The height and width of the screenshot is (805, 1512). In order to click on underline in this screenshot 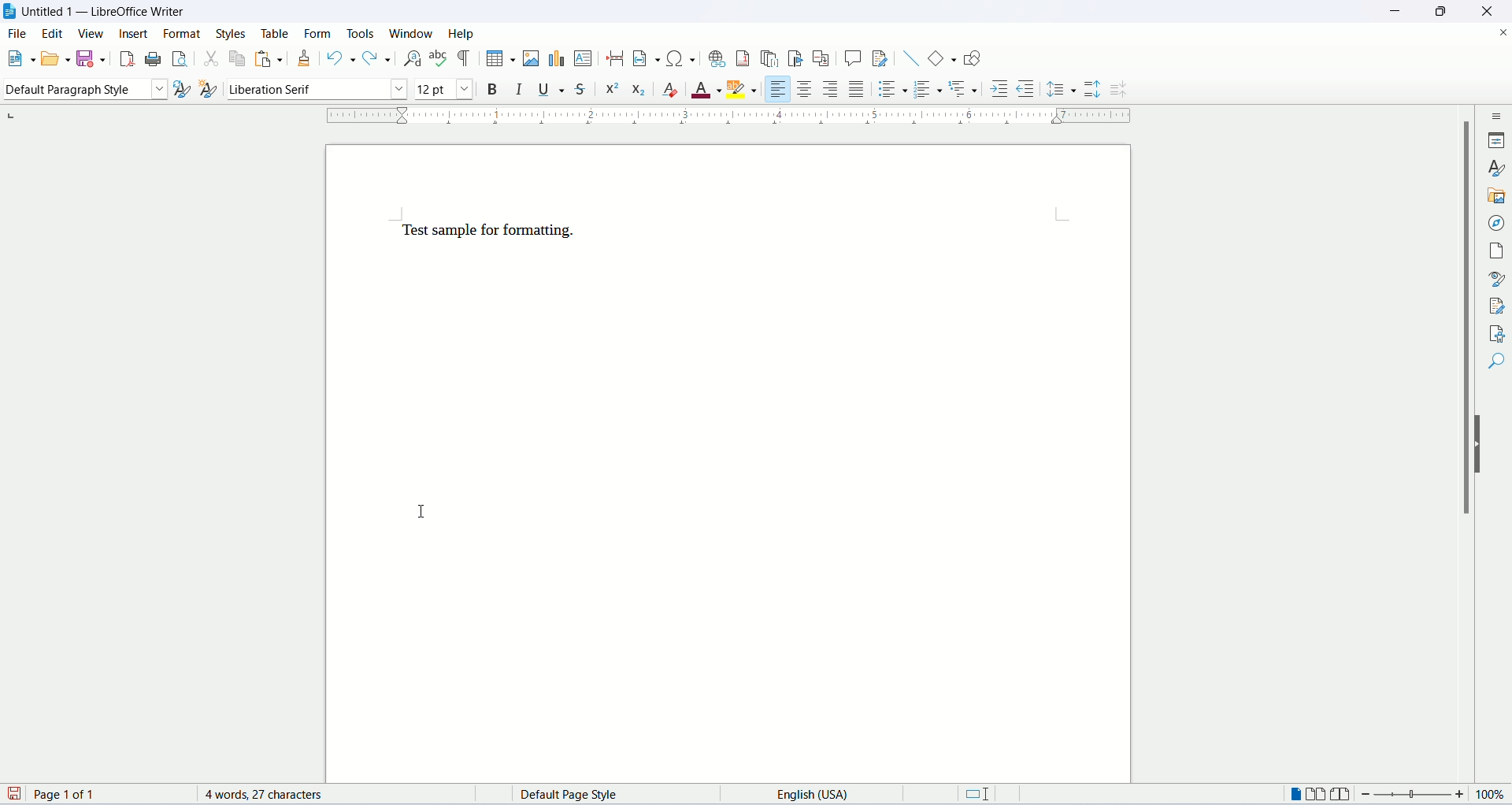, I will do `click(554, 90)`.